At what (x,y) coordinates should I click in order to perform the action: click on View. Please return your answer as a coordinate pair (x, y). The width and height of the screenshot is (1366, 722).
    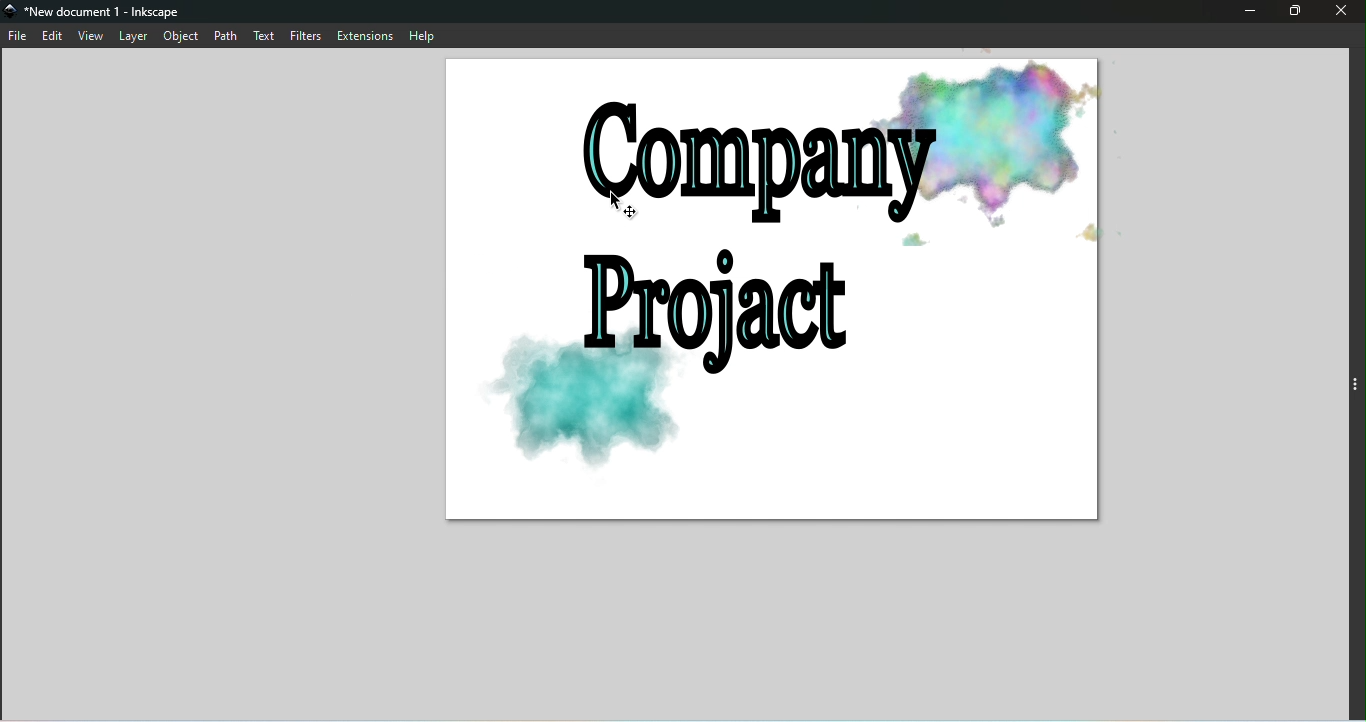
    Looking at the image, I should click on (91, 35).